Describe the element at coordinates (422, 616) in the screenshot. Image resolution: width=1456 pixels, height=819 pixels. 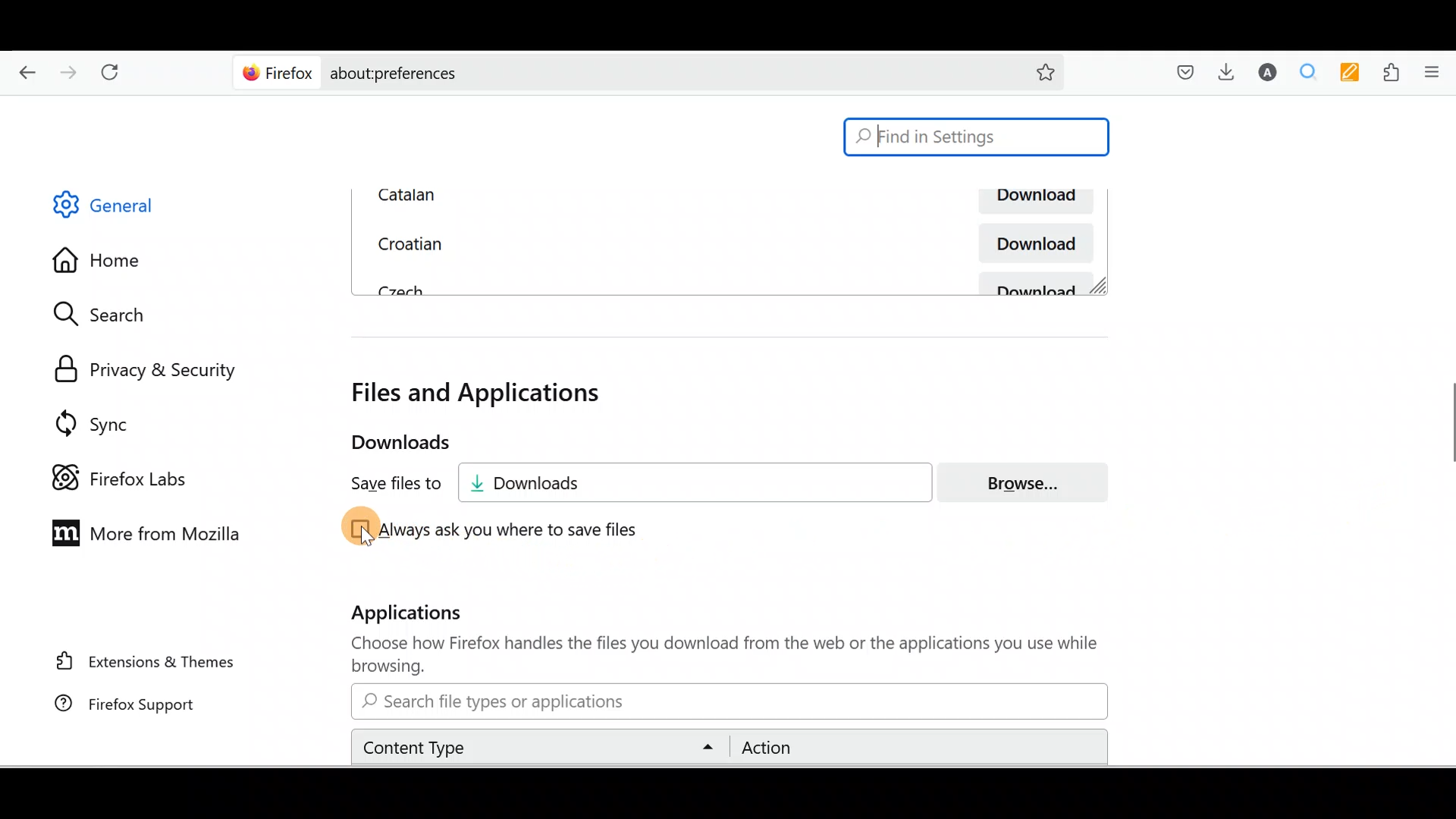
I see `Applications` at that location.